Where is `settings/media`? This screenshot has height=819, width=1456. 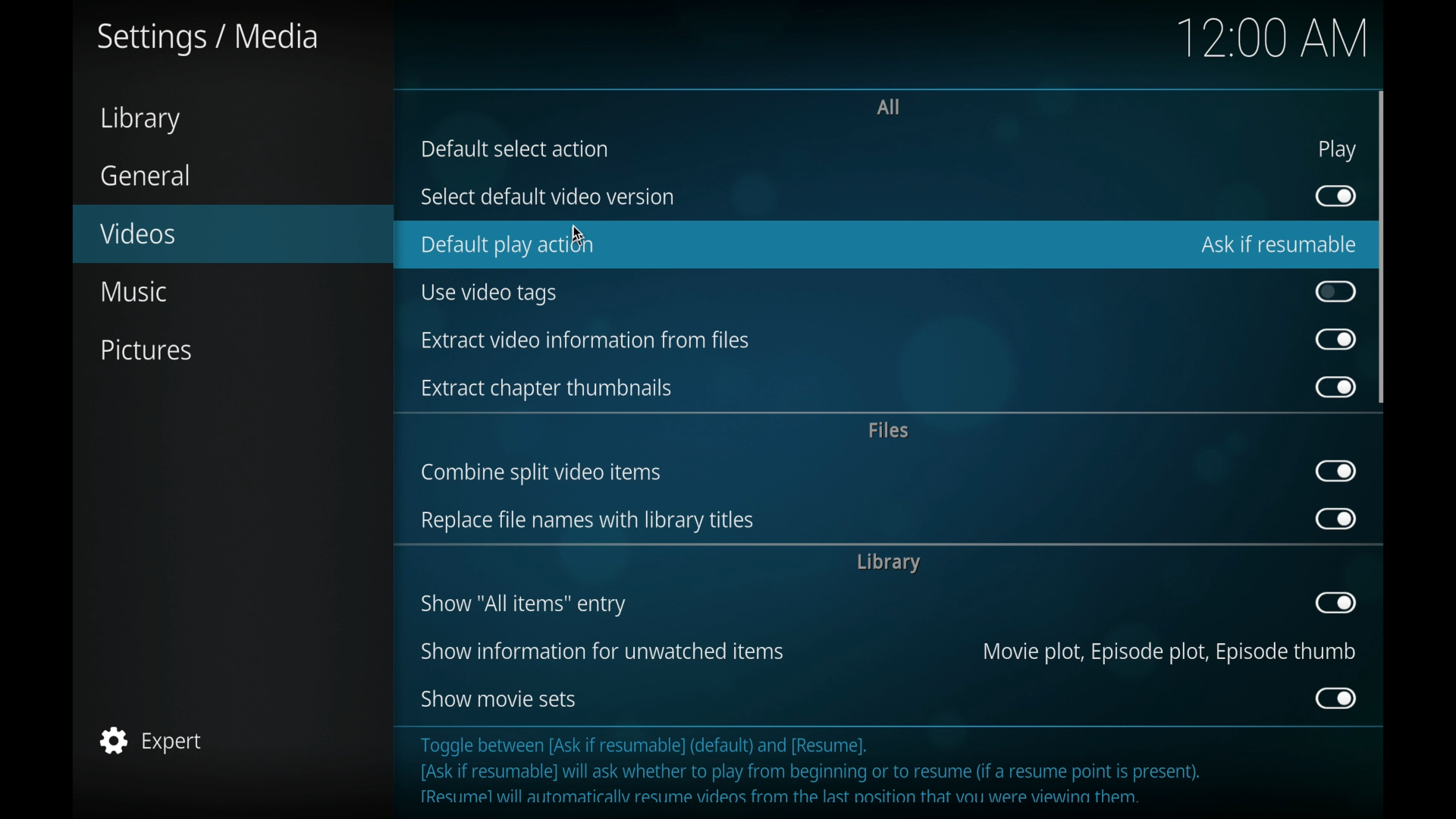
settings/media is located at coordinates (206, 38).